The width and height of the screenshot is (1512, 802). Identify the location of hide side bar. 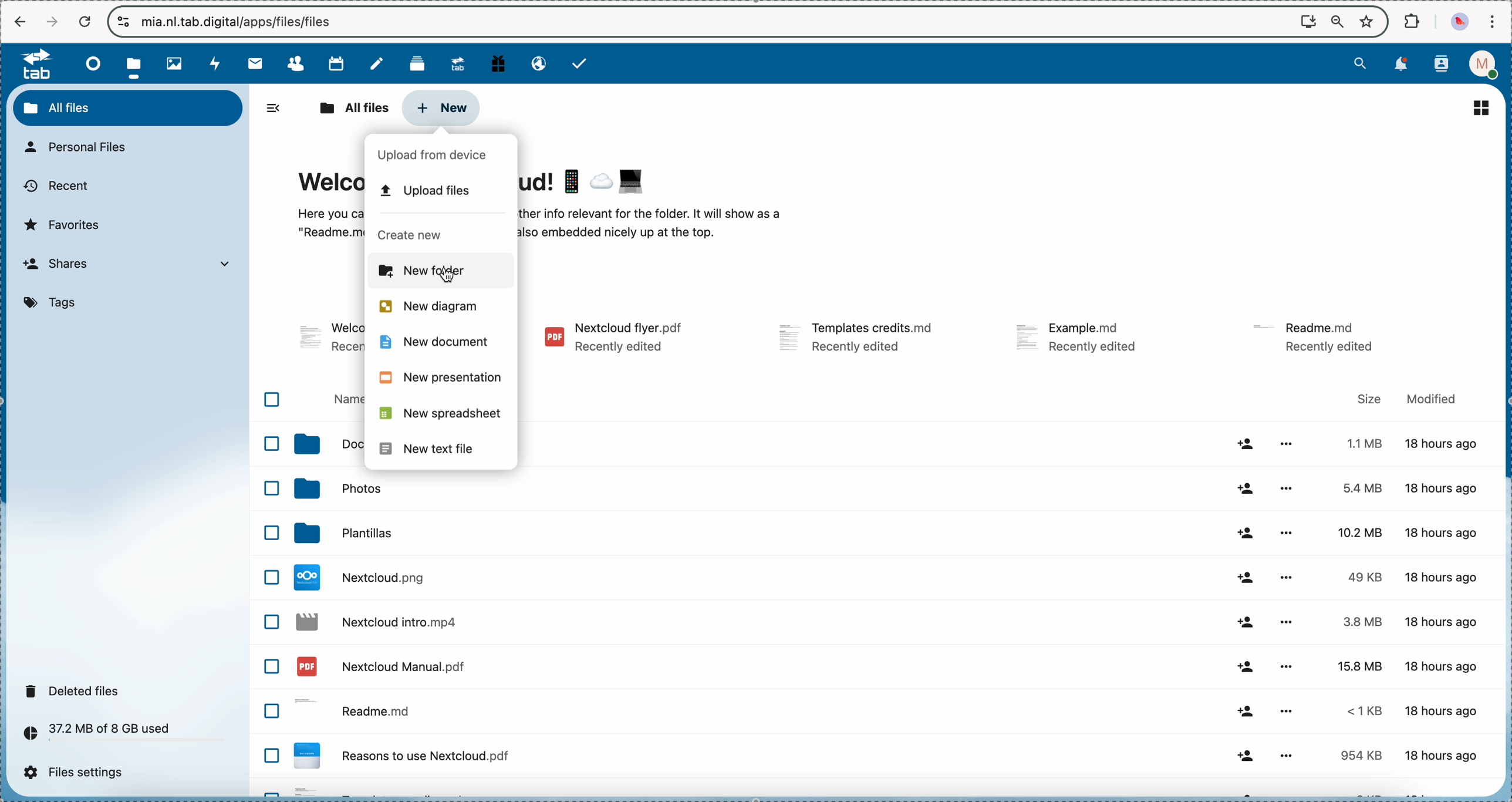
(274, 108).